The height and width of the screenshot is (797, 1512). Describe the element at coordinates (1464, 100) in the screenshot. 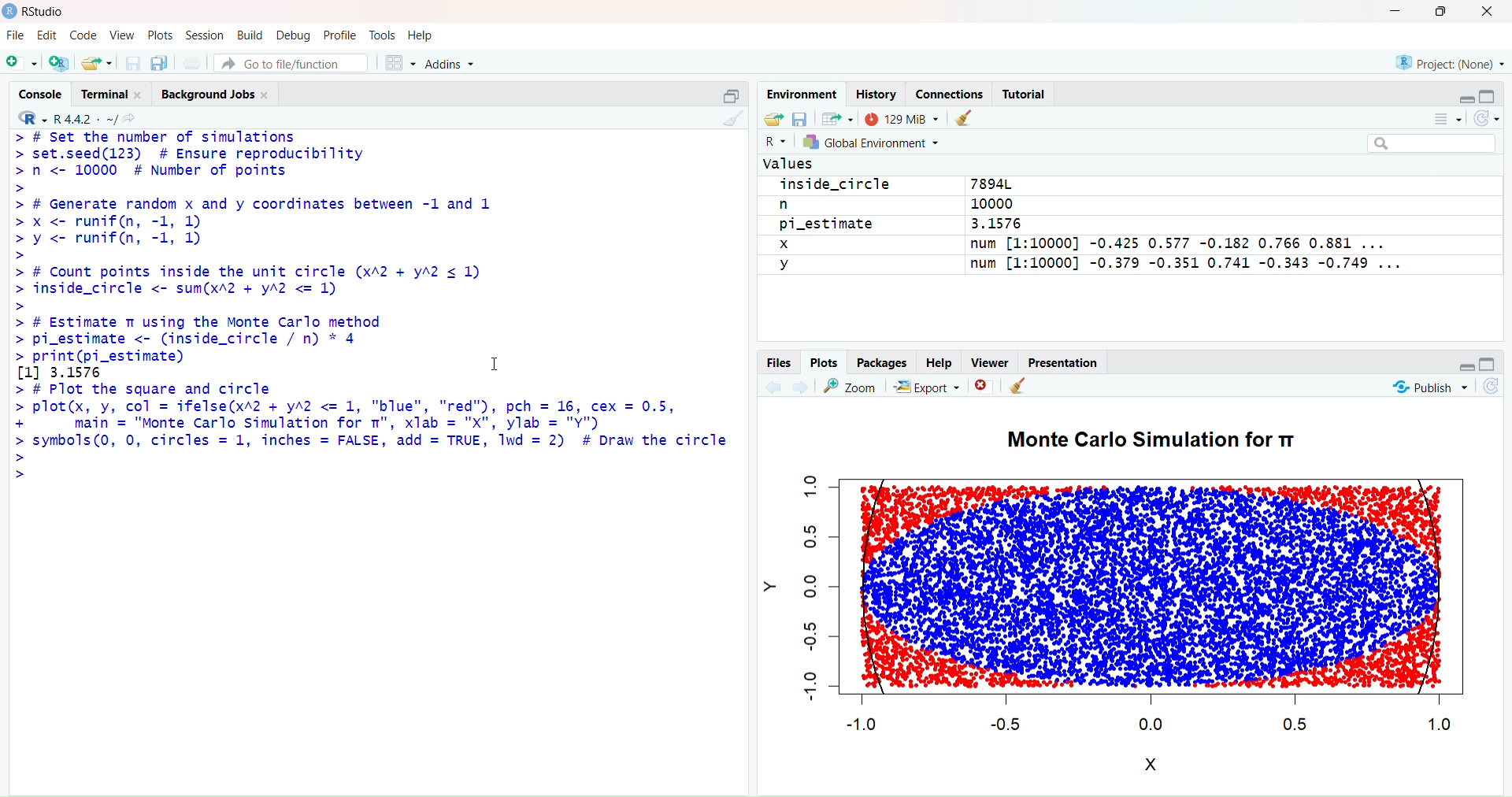

I see `Minimize` at that location.